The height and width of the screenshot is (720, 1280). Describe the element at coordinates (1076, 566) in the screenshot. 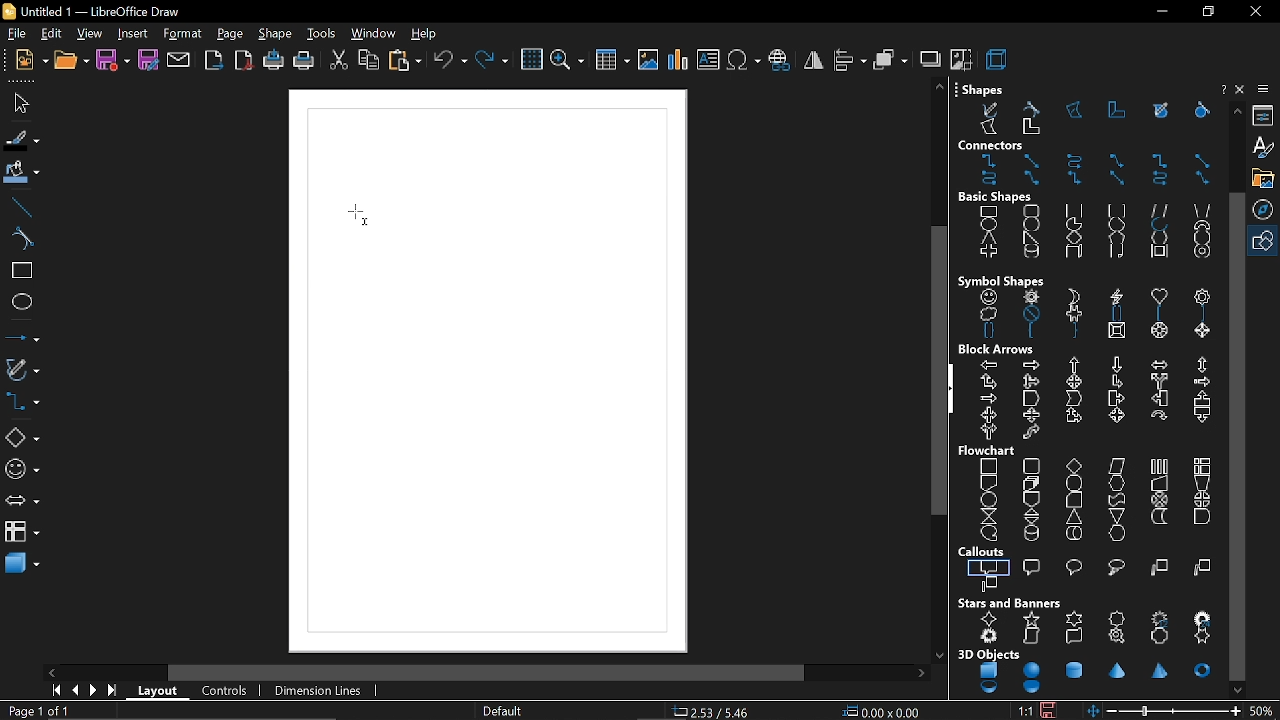

I see `round` at that location.